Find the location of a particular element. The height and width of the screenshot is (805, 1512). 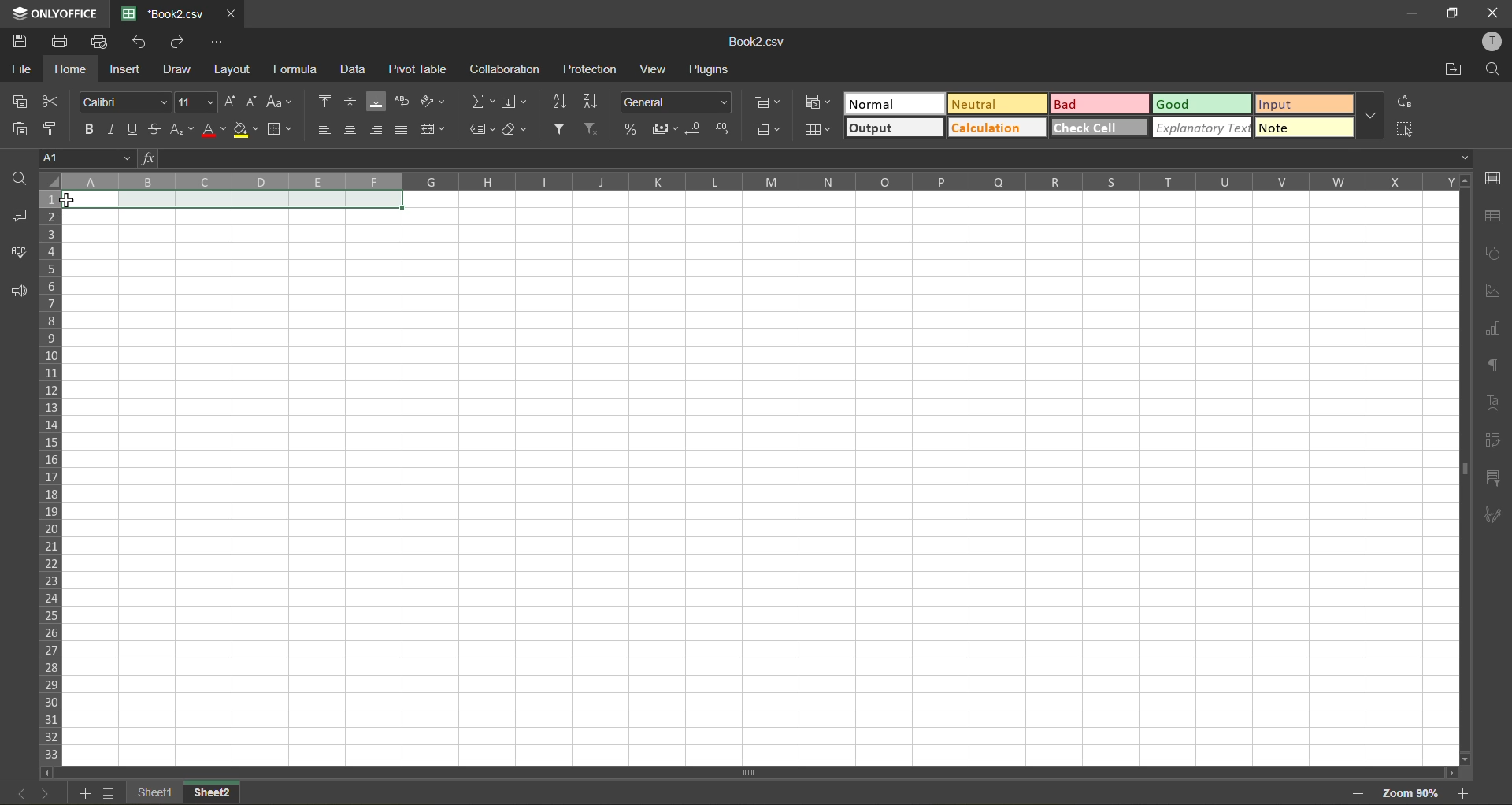

merge and center is located at coordinates (435, 129).